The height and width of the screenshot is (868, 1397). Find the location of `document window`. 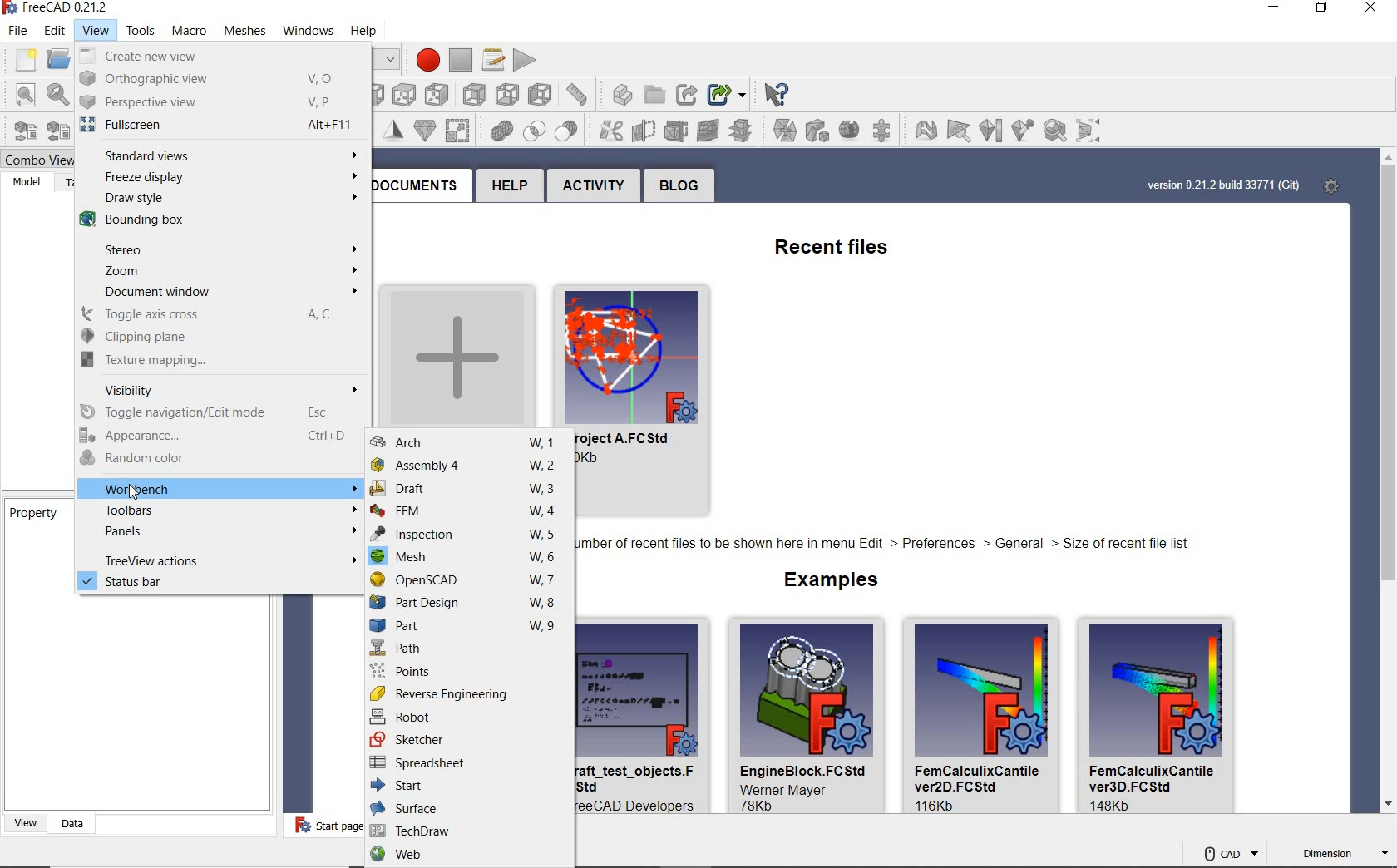

document window is located at coordinates (215, 293).